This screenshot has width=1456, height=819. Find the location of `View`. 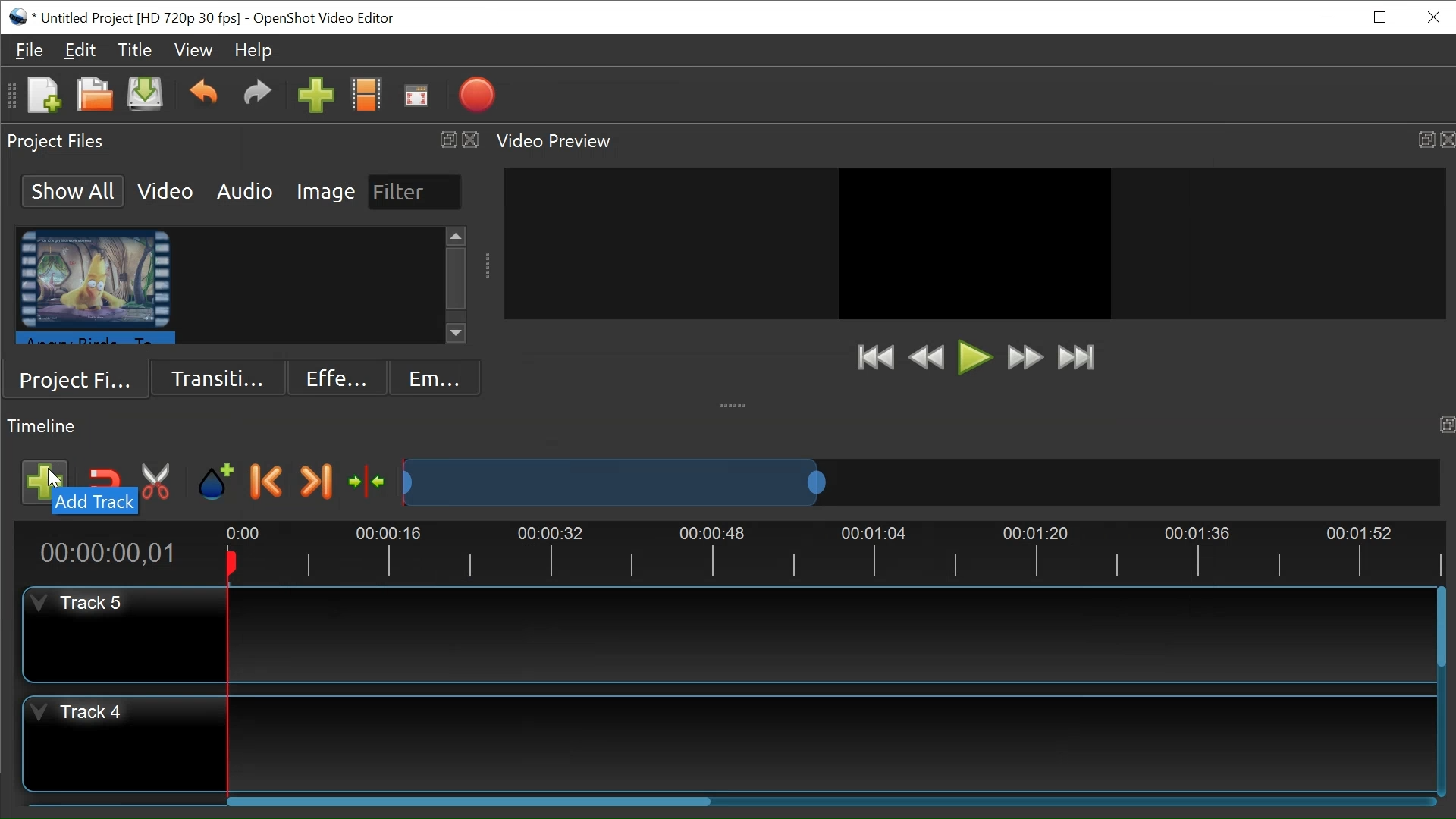

View is located at coordinates (192, 49).